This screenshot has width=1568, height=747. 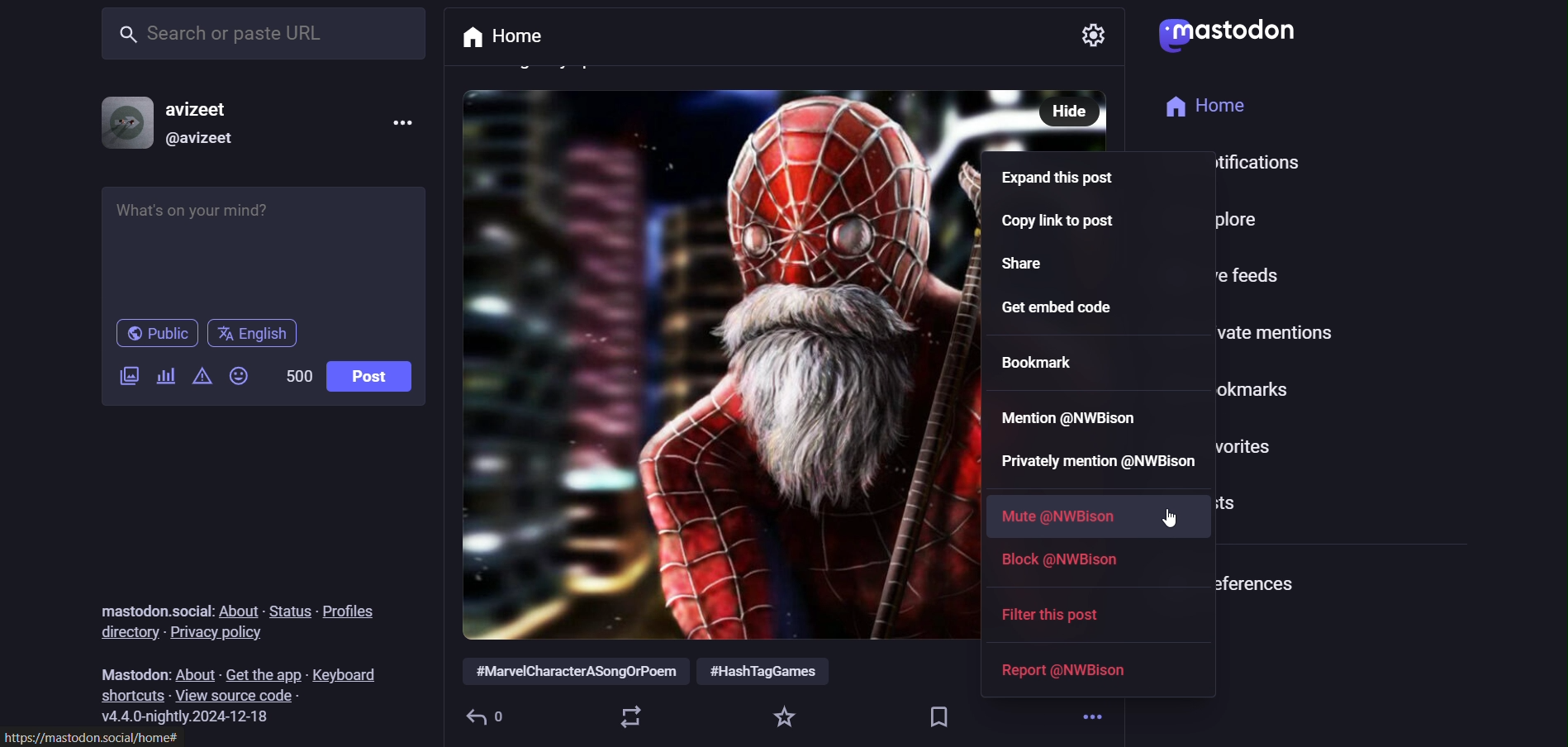 What do you see at coordinates (1048, 360) in the screenshot?
I see `bookmark` at bounding box center [1048, 360].